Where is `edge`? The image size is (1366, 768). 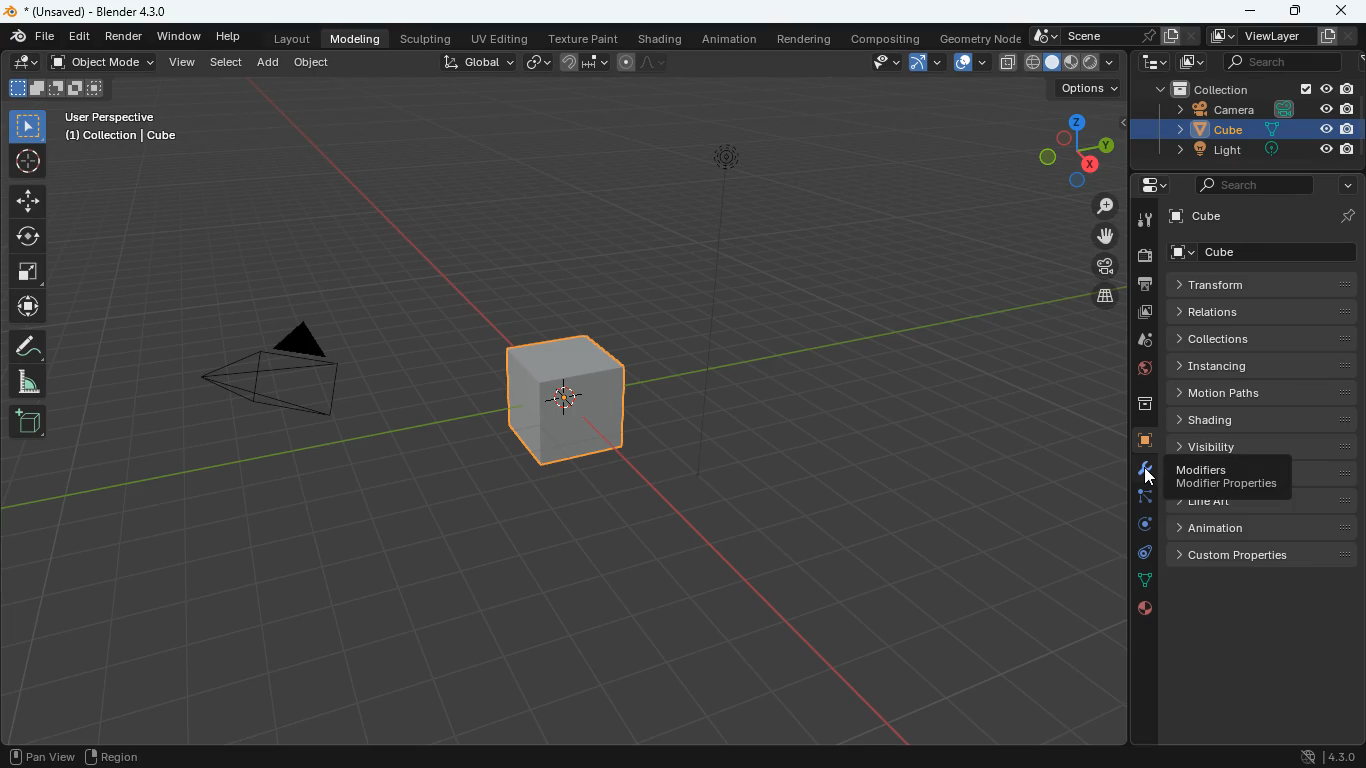 edge is located at coordinates (1137, 499).